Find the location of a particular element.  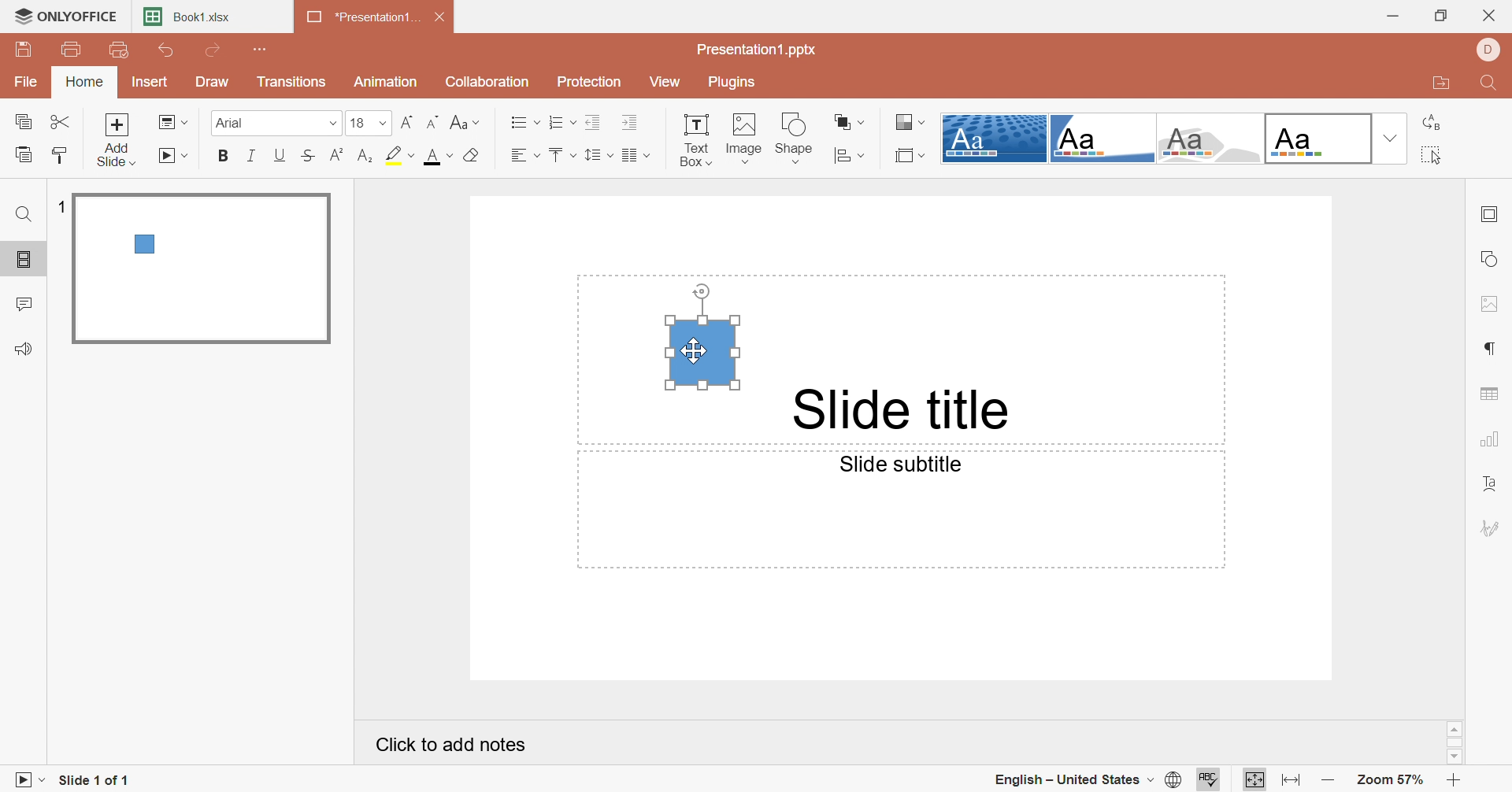

Decrease Indent is located at coordinates (594, 123).